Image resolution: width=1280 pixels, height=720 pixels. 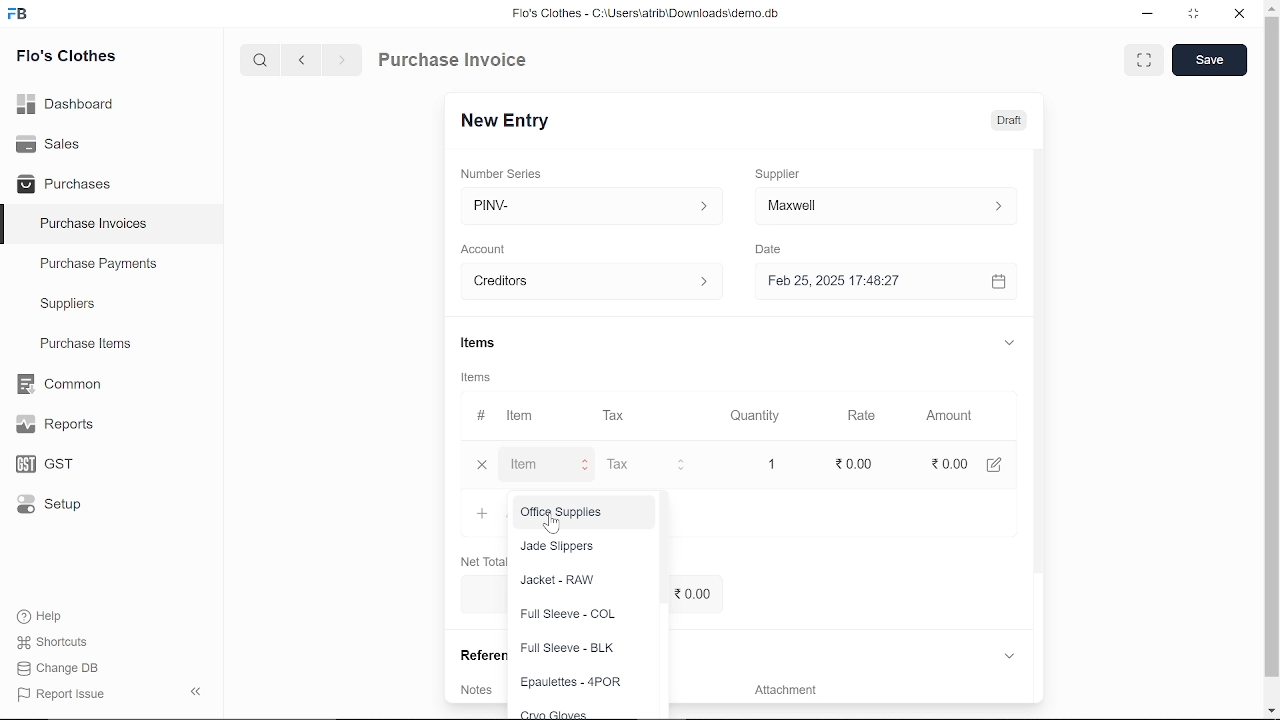 I want to click on Change DB, so click(x=58, y=670).